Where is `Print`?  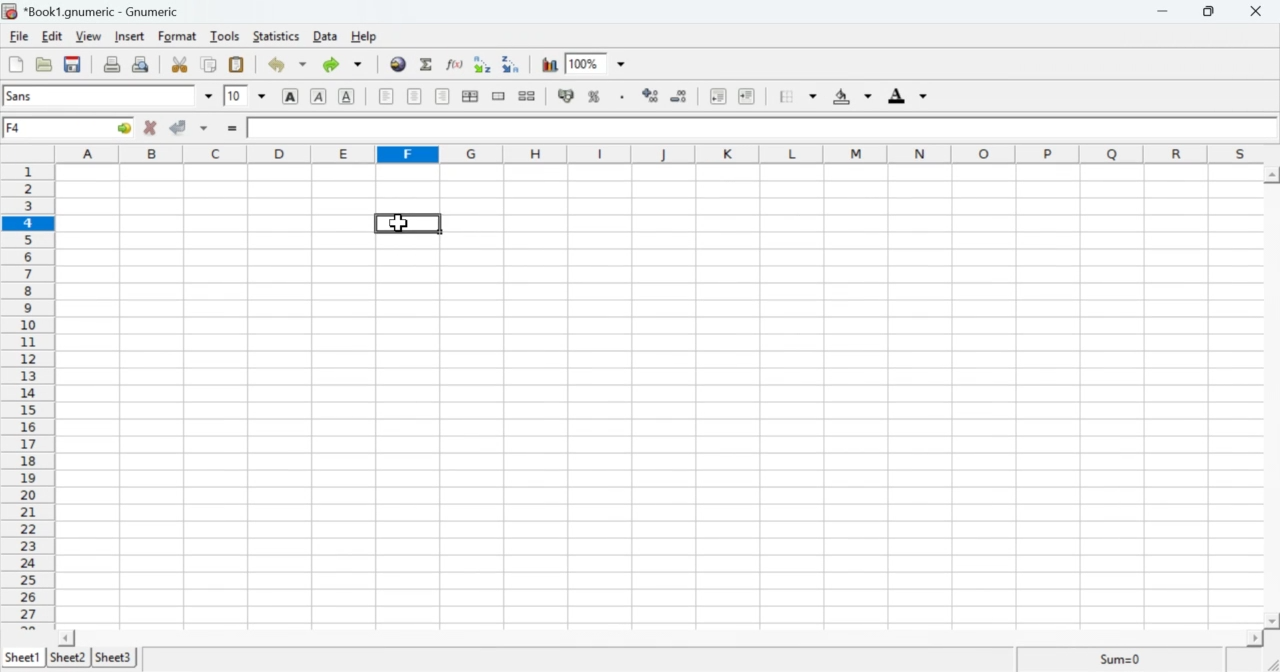
Print is located at coordinates (110, 64).